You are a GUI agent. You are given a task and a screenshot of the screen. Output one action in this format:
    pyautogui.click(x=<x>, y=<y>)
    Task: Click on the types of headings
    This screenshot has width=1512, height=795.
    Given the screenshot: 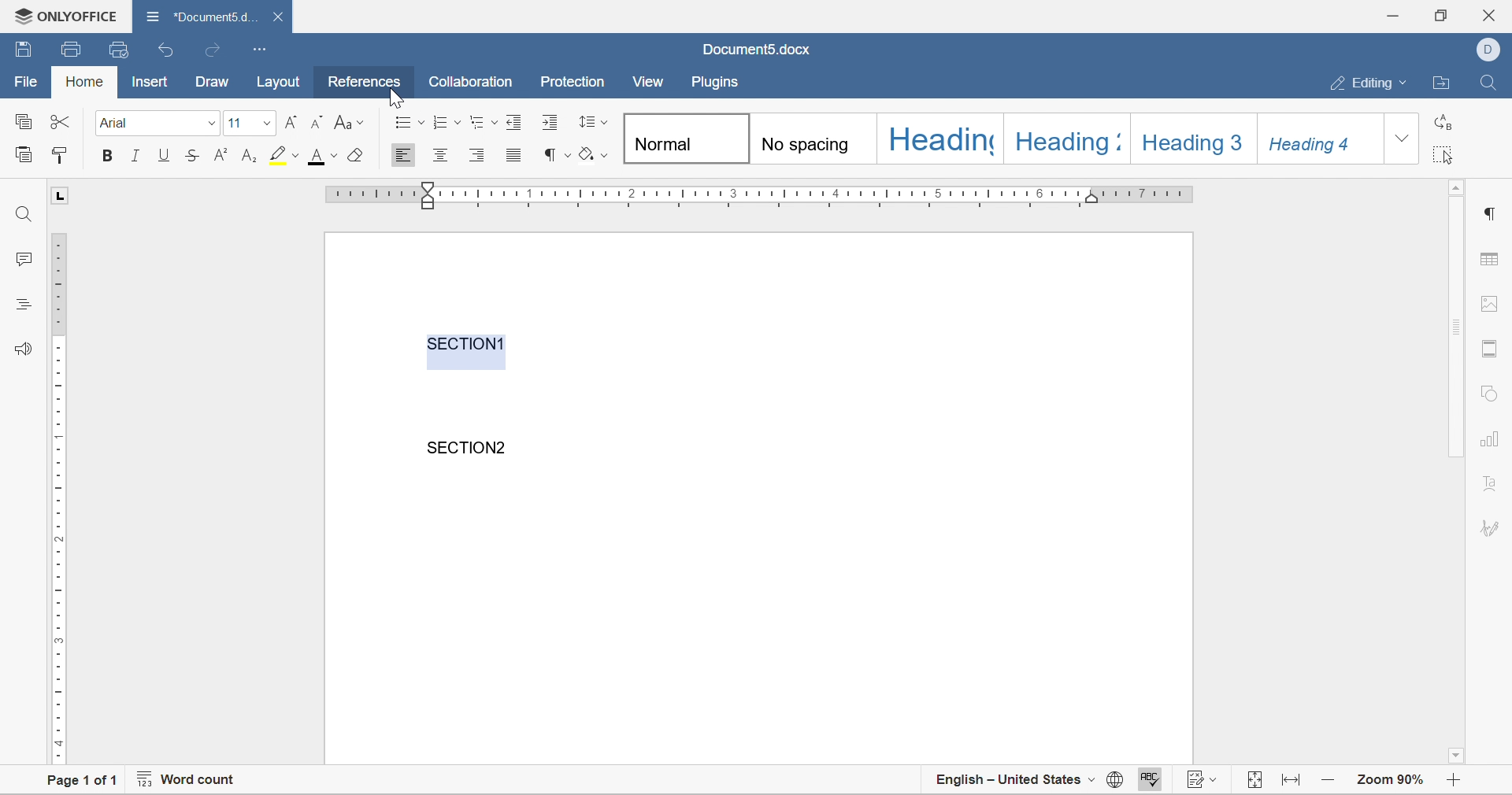 What is the action you would take?
    pyautogui.click(x=1001, y=137)
    